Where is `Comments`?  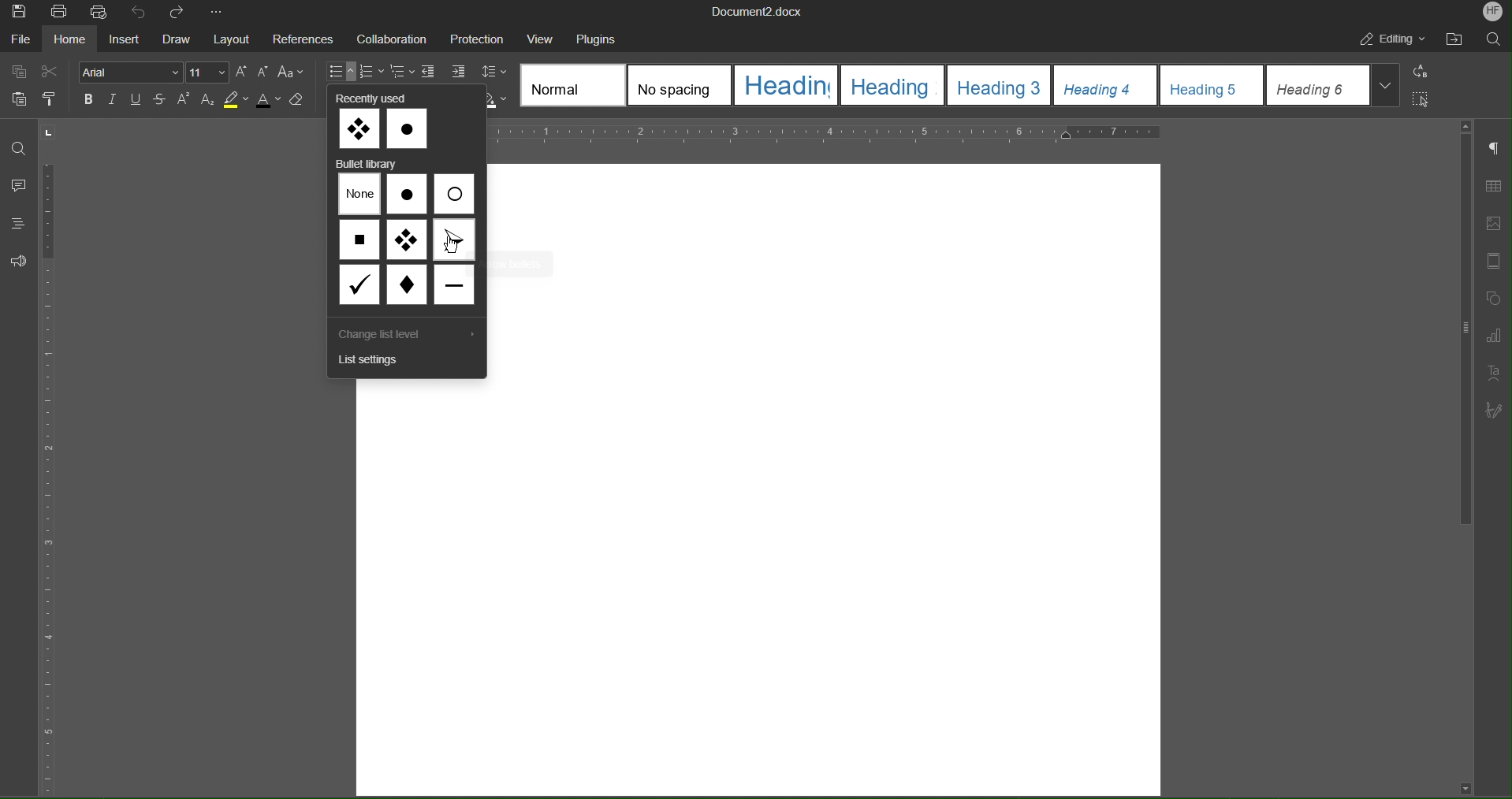 Comments is located at coordinates (19, 185).